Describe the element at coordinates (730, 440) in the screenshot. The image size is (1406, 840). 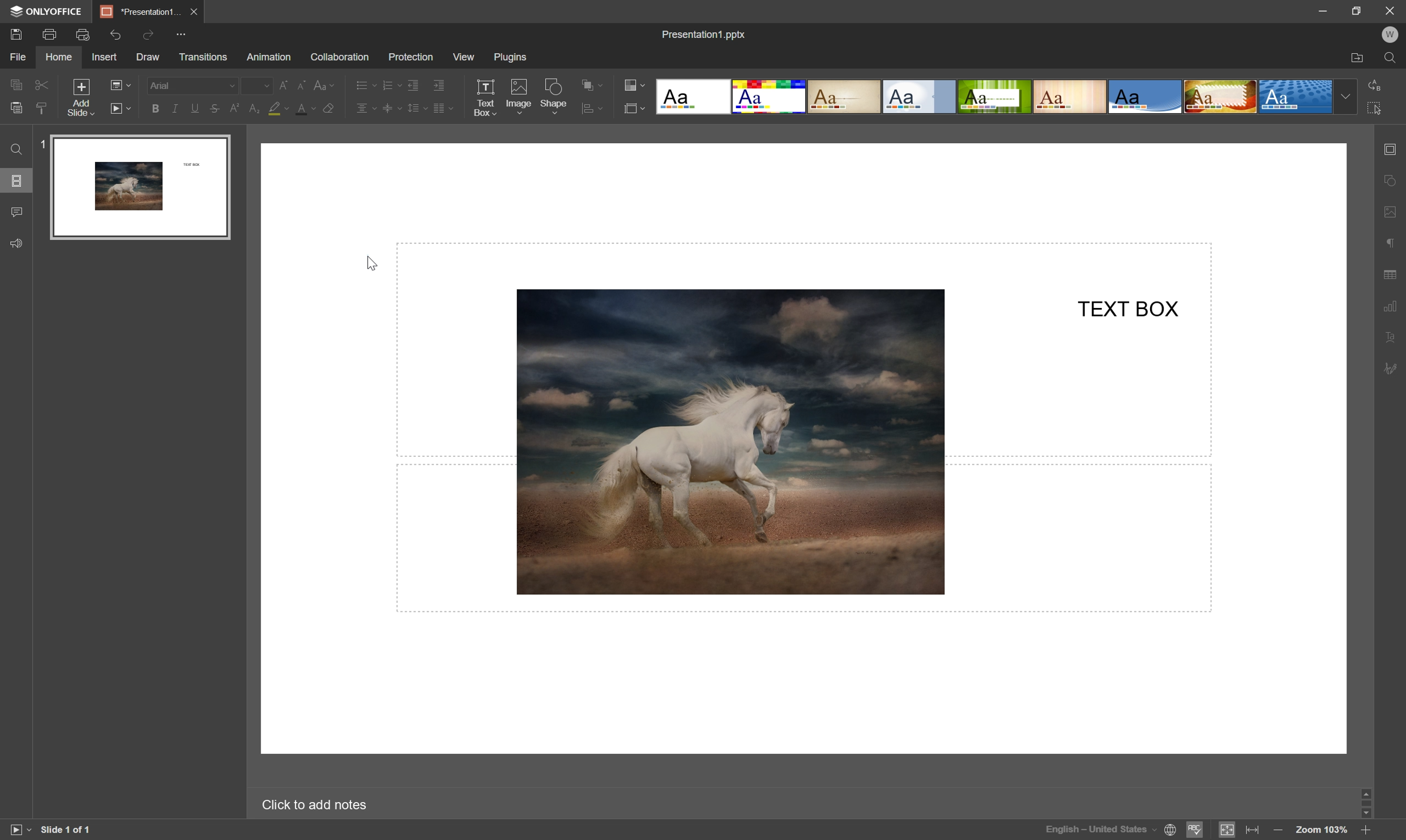
I see `image` at that location.